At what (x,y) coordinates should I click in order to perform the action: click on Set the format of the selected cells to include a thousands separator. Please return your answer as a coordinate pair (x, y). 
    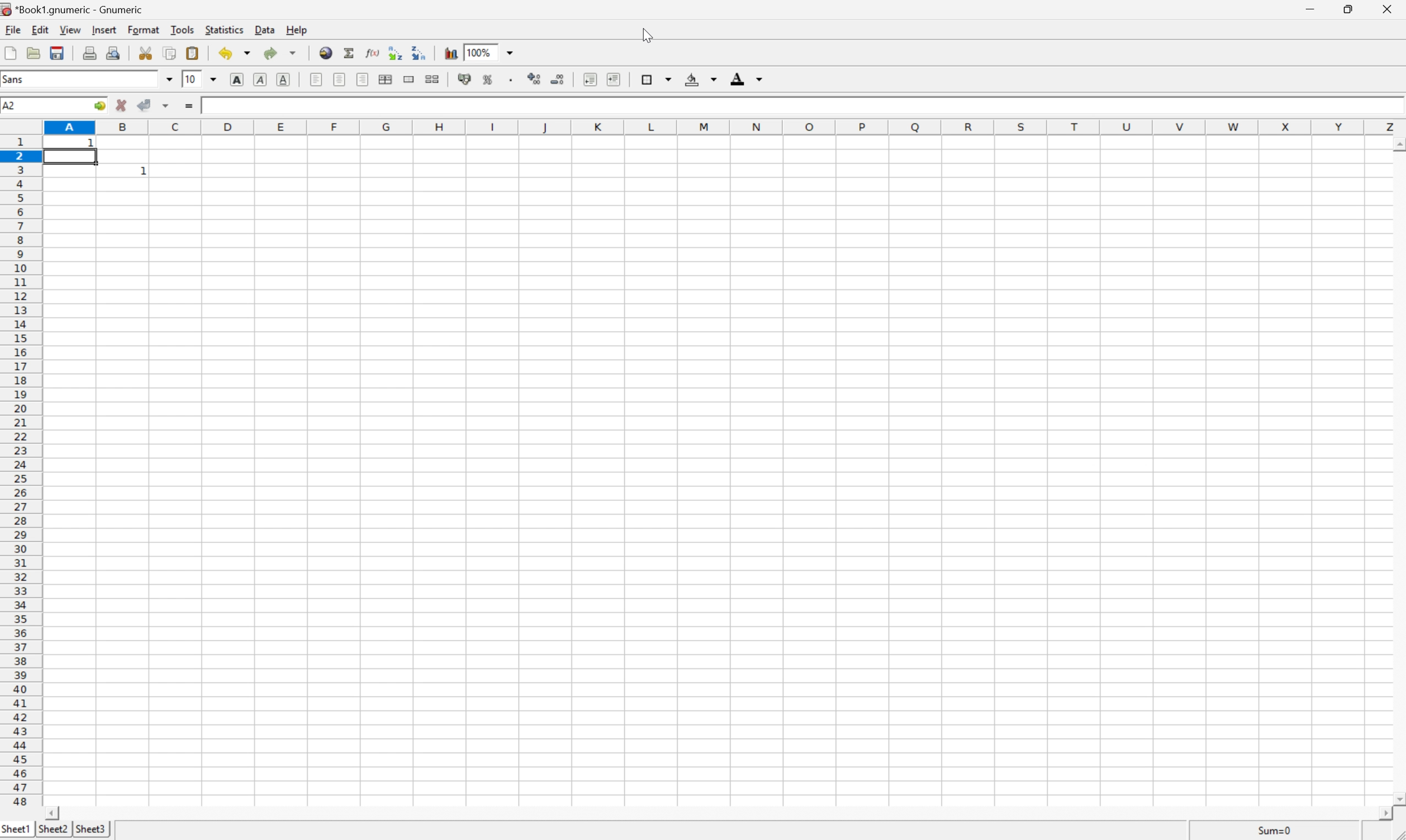
    Looking at the image, I should click on (511, 82).